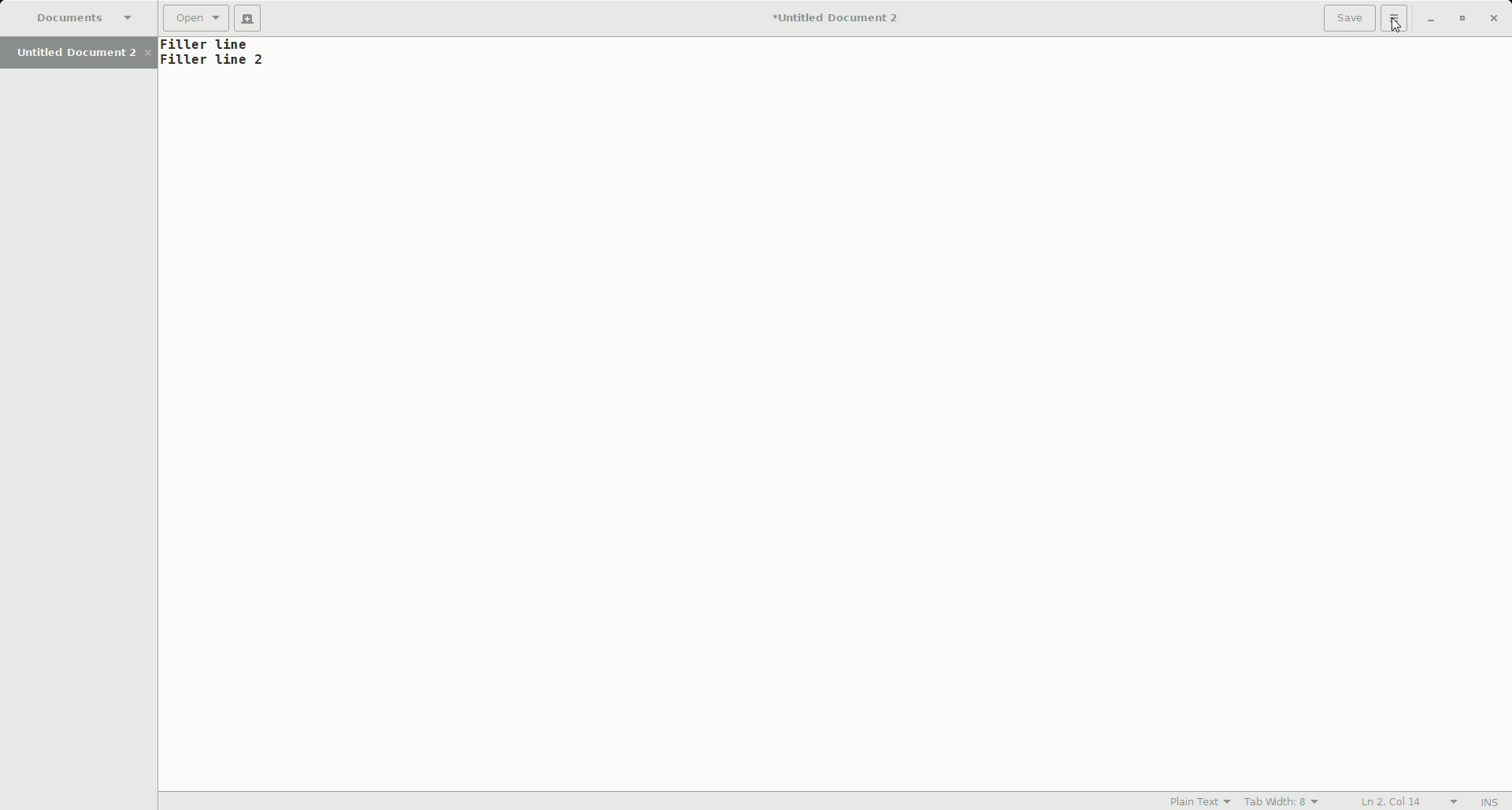 Image resolution: width=1512 pixels, height=810 pixels. What do you see at coordinates (197, 20) in the screenshot?
I see `Open` at bounding box center [197, 20].